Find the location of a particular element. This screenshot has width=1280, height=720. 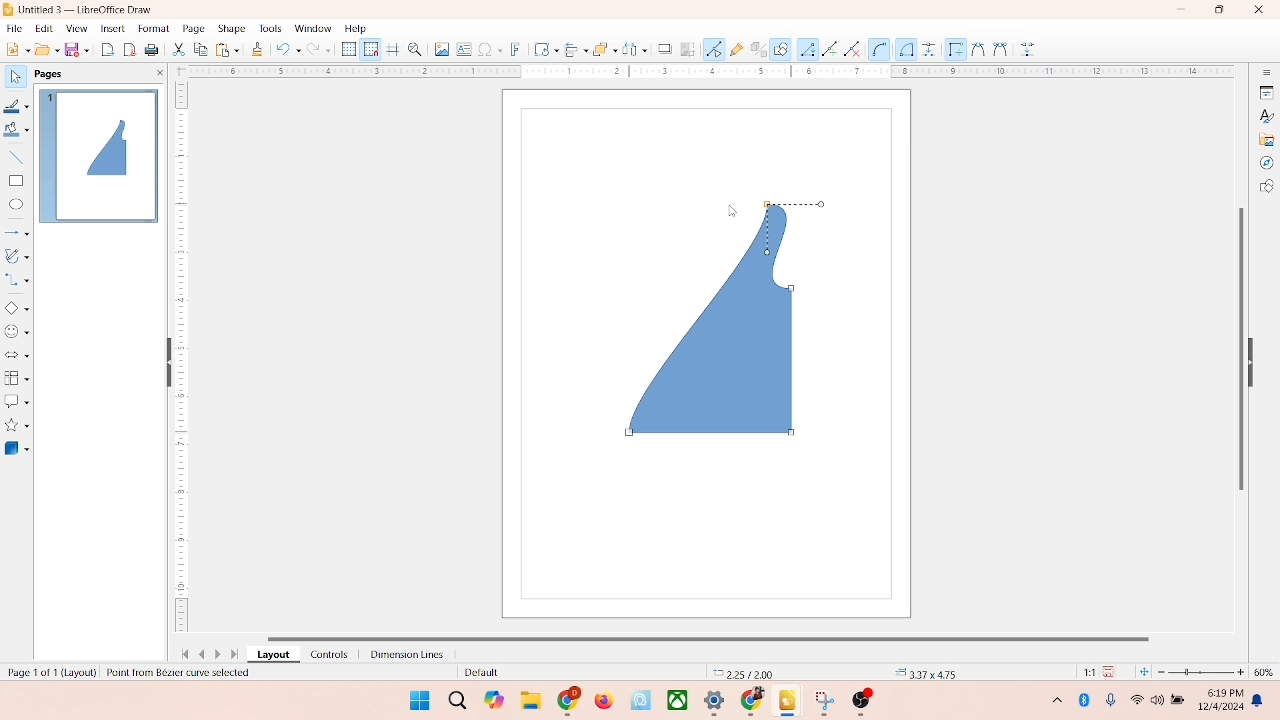

symbol shapes is located at coordinates (17, 332).